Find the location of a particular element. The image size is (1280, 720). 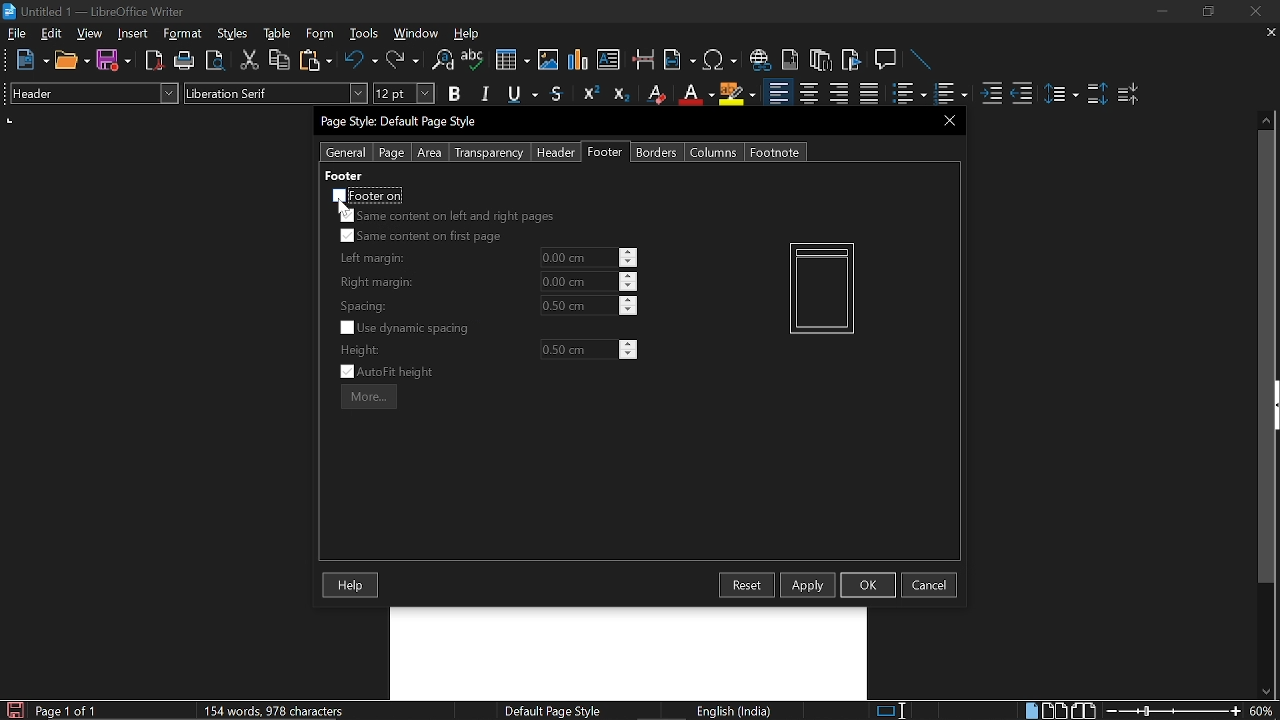

decrease spacing is located at coordinates (628, 311).